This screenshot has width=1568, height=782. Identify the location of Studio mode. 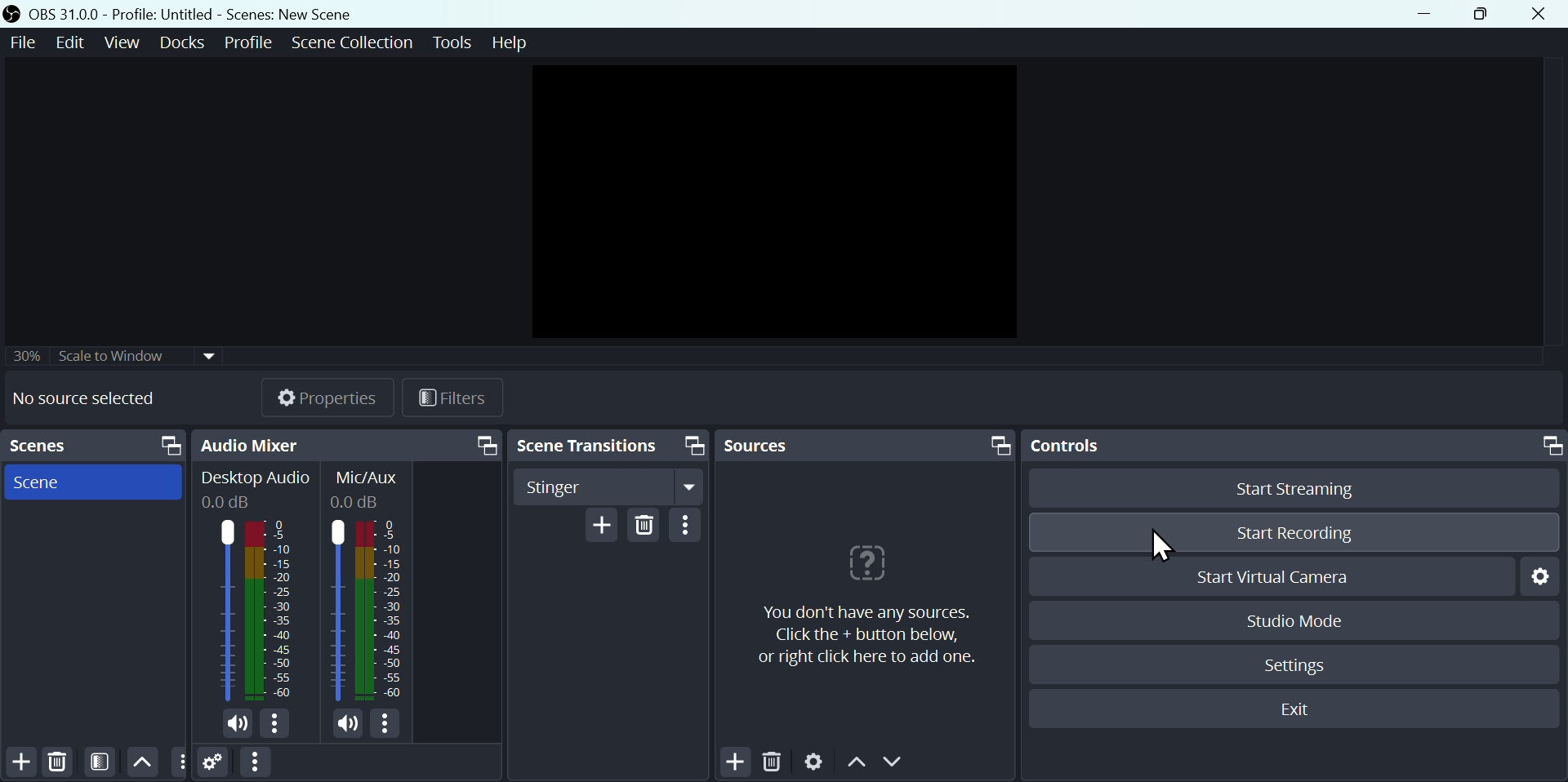
(1296, 618).